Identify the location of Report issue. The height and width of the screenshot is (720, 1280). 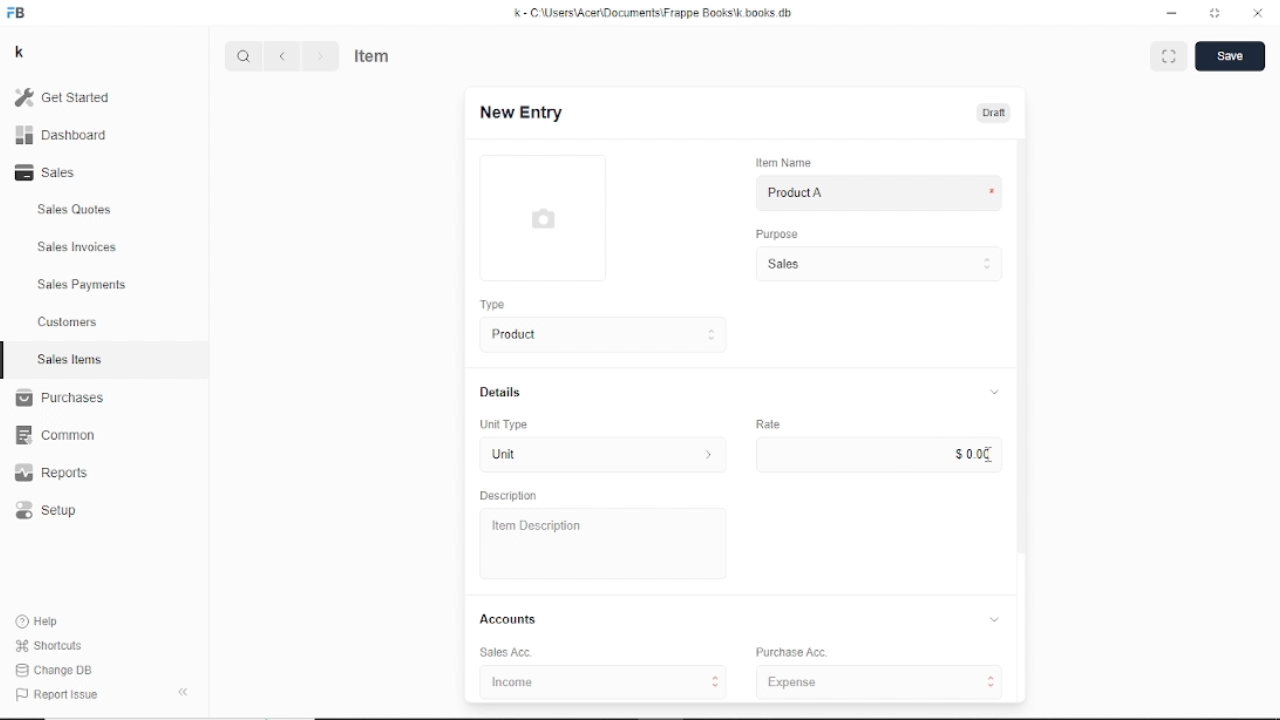
(54, 693).